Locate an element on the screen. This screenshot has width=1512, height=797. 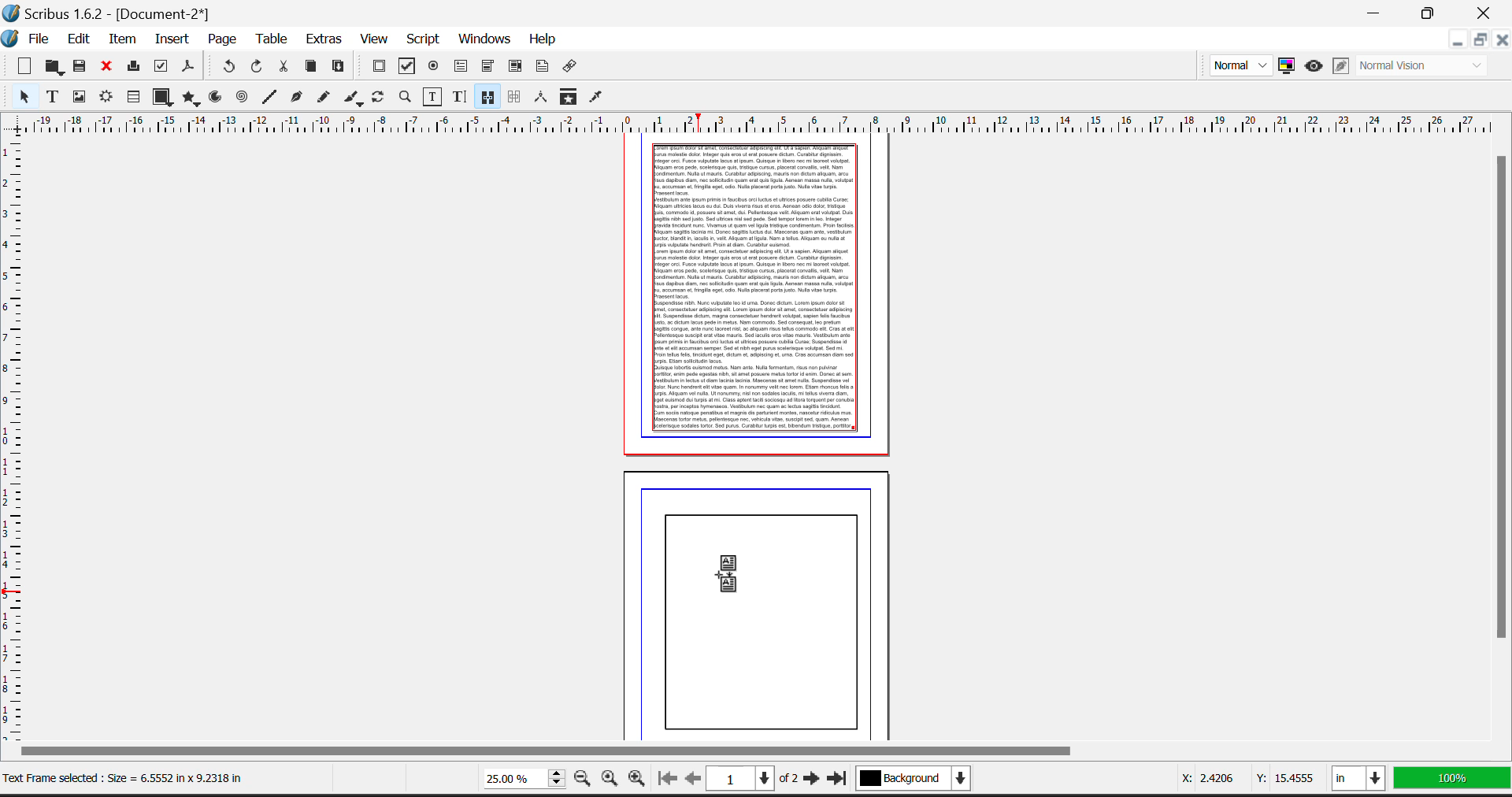
Minimize is located at coordinates (1478, 42).